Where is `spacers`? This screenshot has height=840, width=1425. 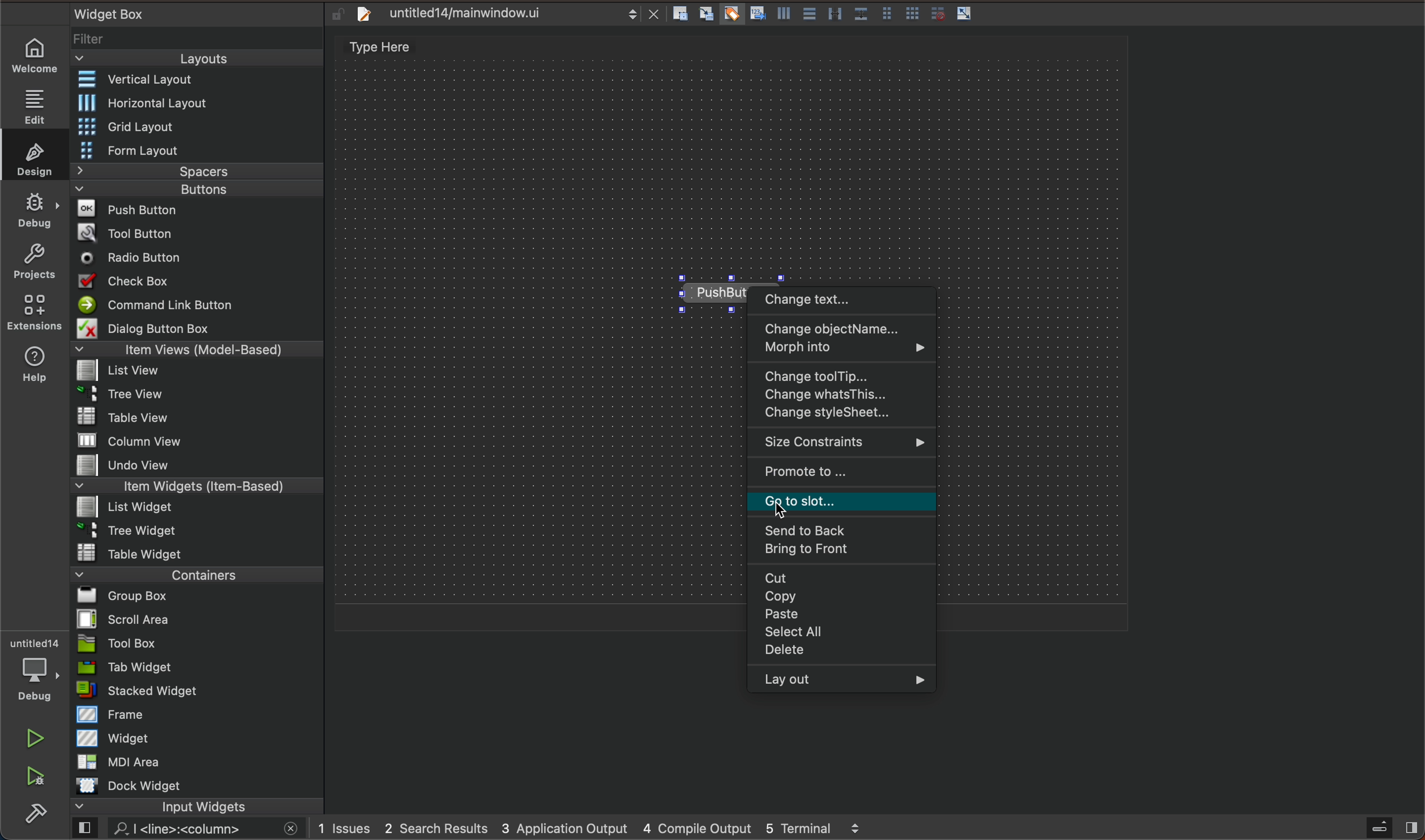
spacers is located at coordinates (200, 172).